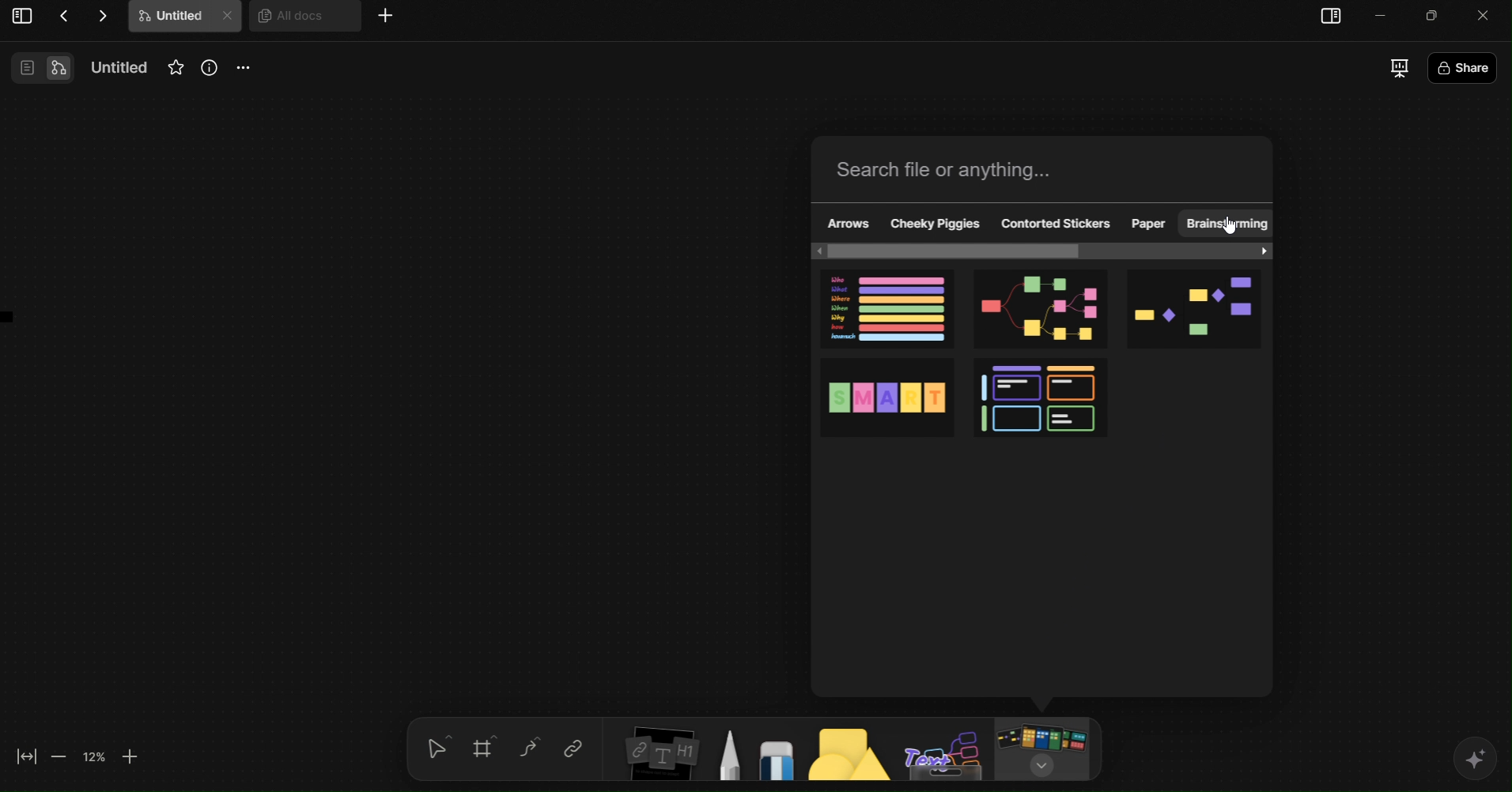 This screenshot has height=792, width=1512. I want to click on AI, so click(1477, 761).